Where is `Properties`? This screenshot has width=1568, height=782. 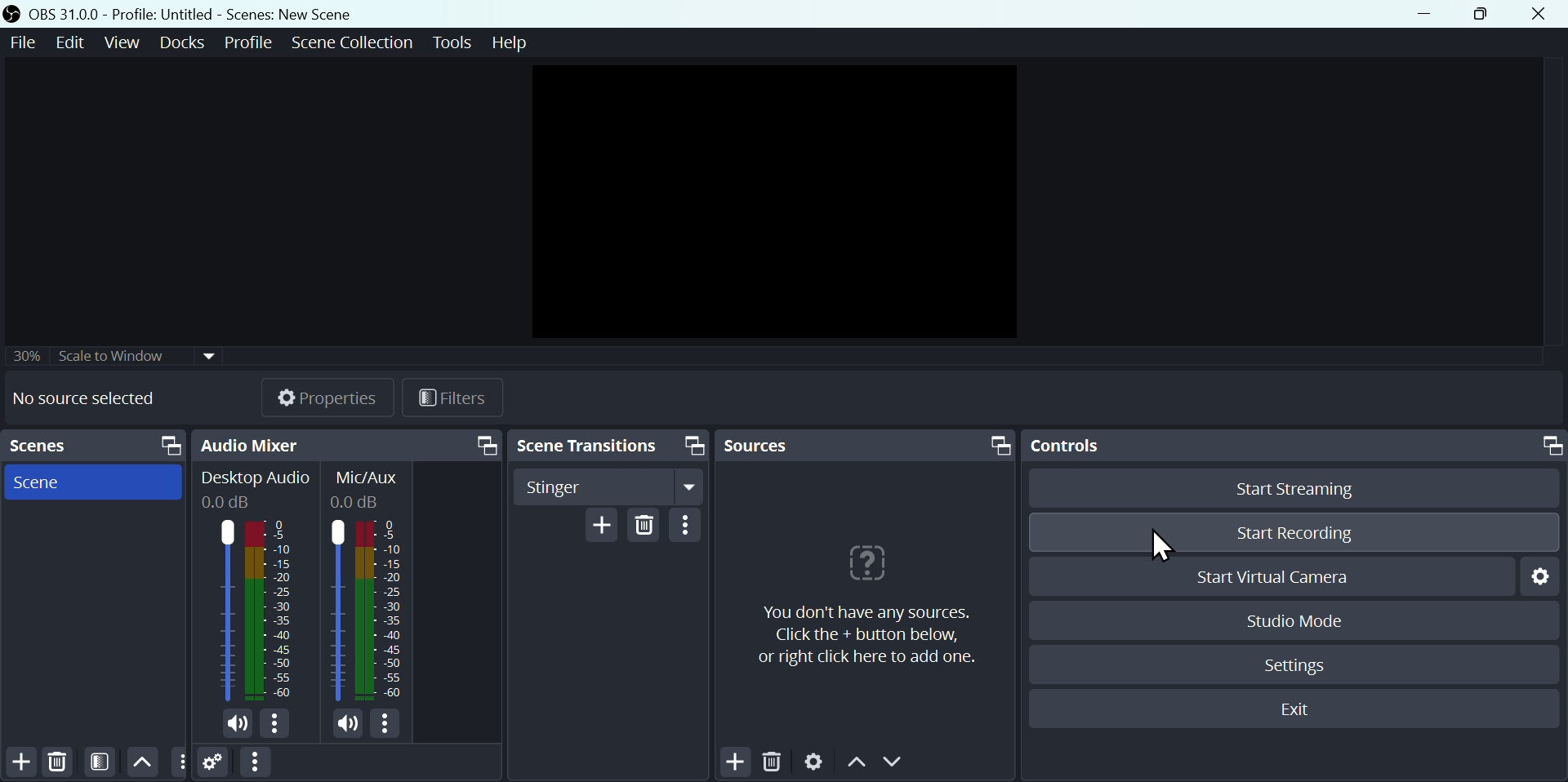
Properties is located at coordinates (327, 395).